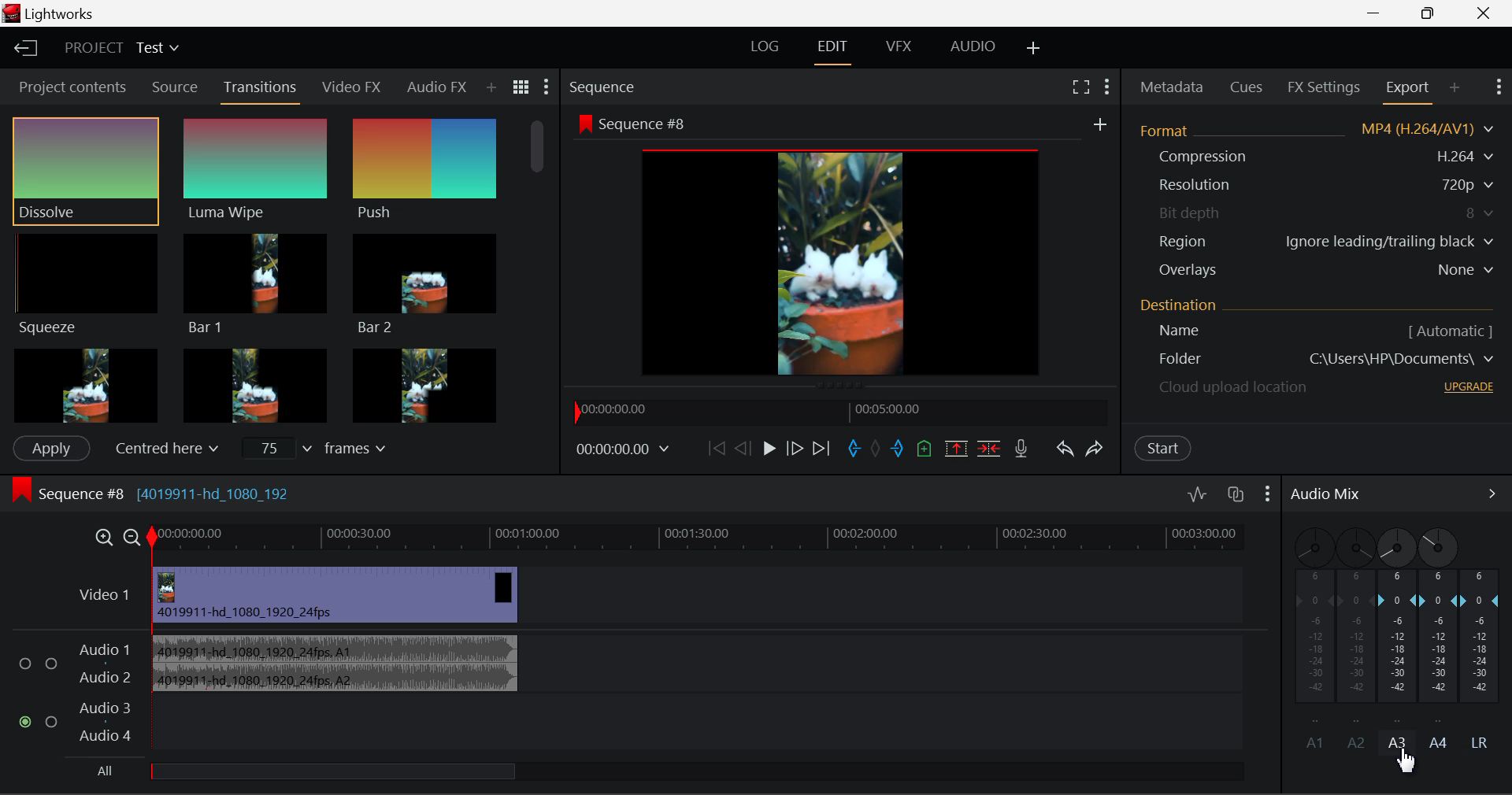 The image size is (1512, 795). What do you see at coordinates (162, 448) in the screenshot?
I see `Centered here` at bounding box center [162, 448].